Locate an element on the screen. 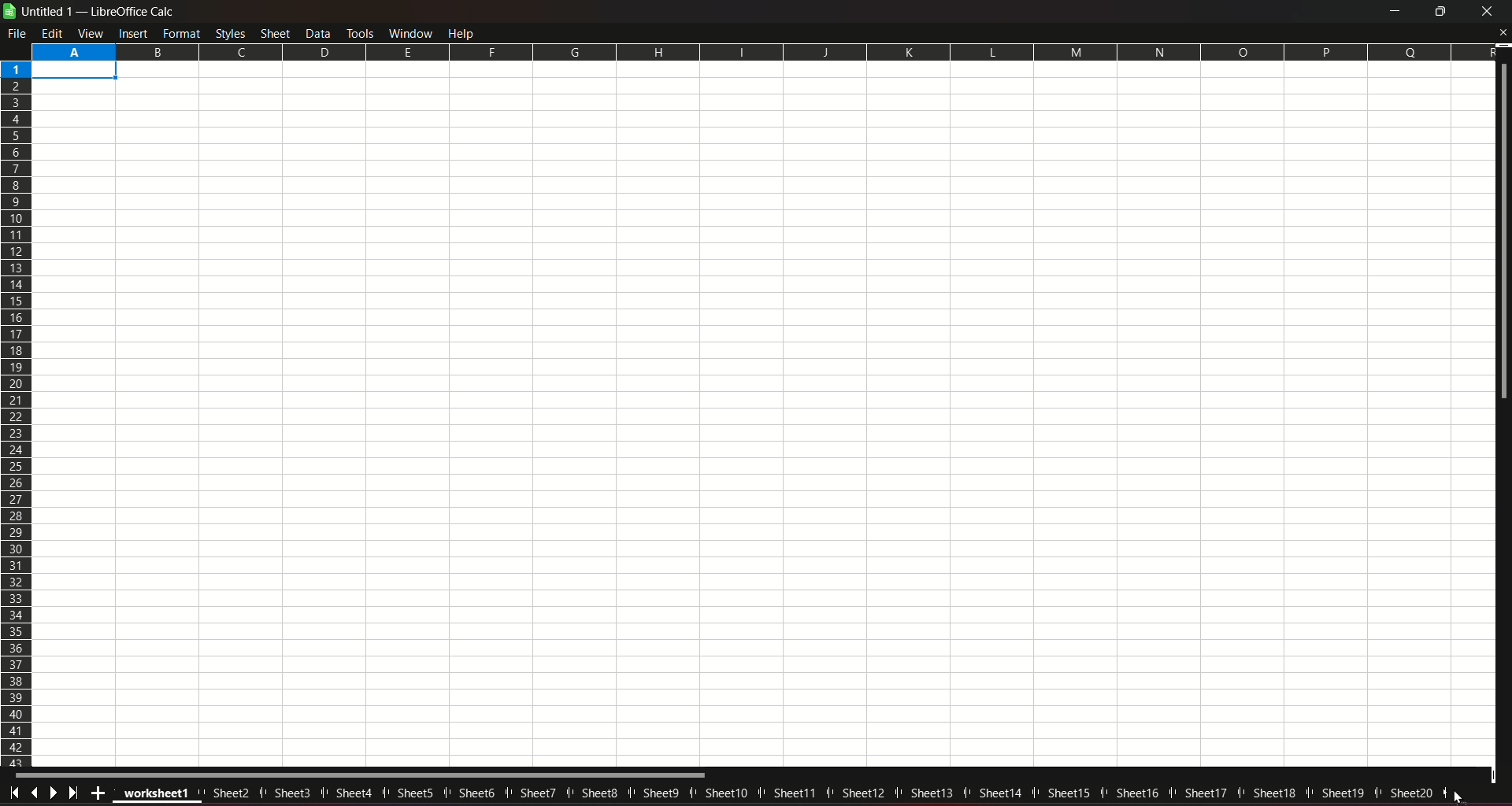 This screenshot has width=1512, height=806. cursor is located at coordinates (1455, 795).